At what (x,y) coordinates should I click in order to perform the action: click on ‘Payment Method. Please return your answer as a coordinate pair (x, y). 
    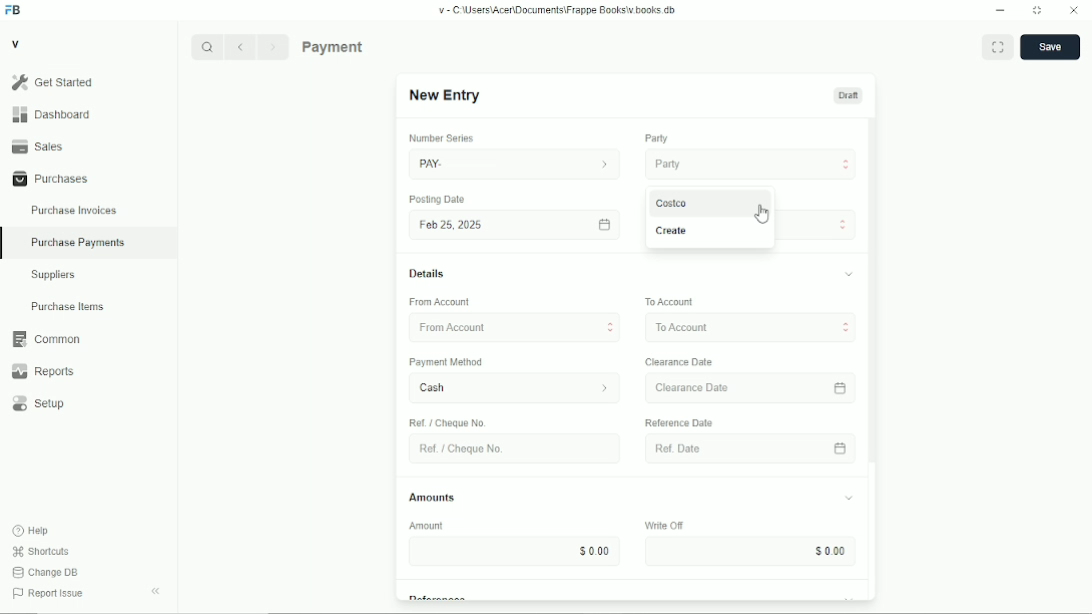
    Looking at the image, I should click on (454, 364).